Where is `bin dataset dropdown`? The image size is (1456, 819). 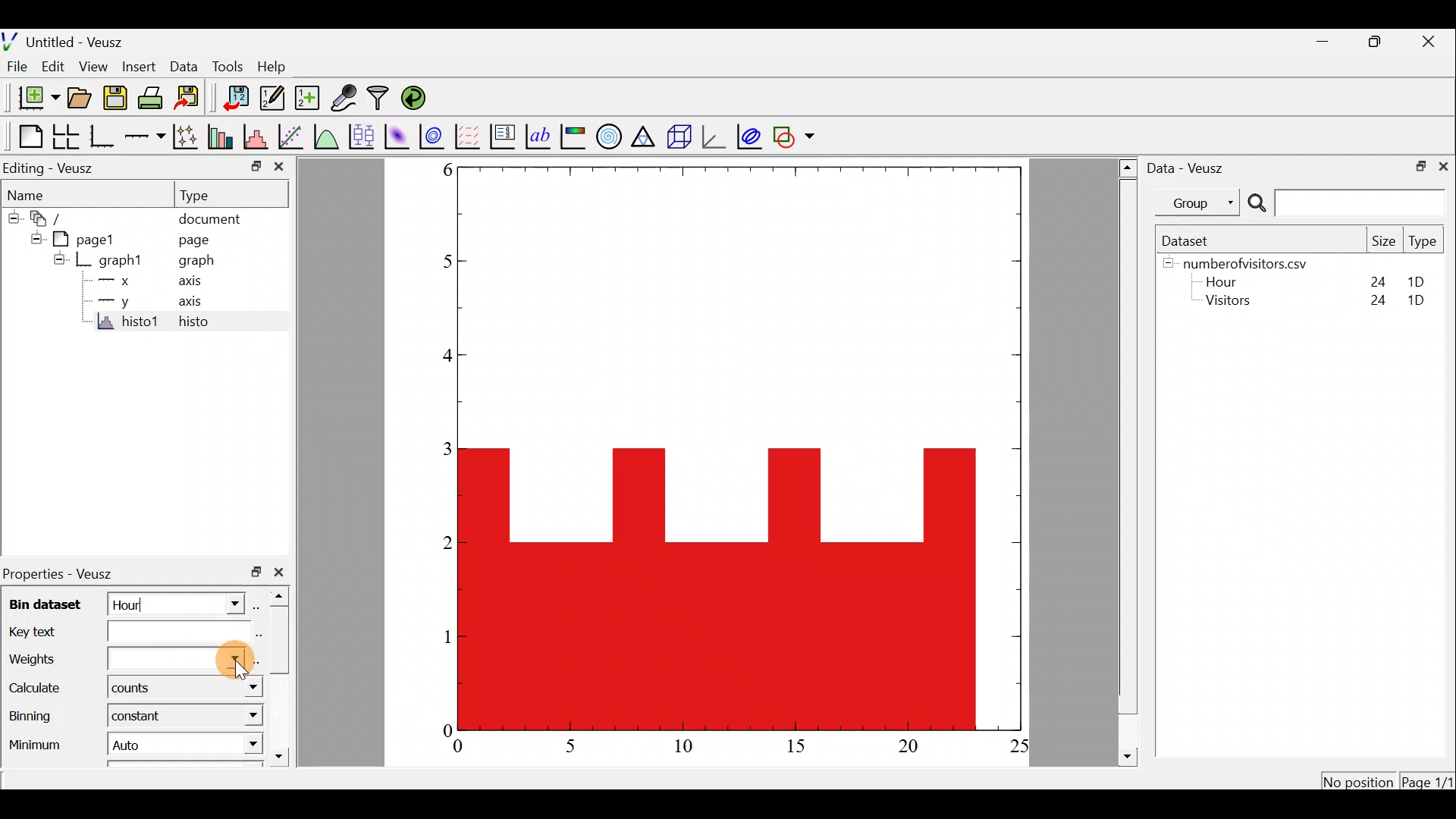 bin dataset dropdown is located at coordinates (217, 605).